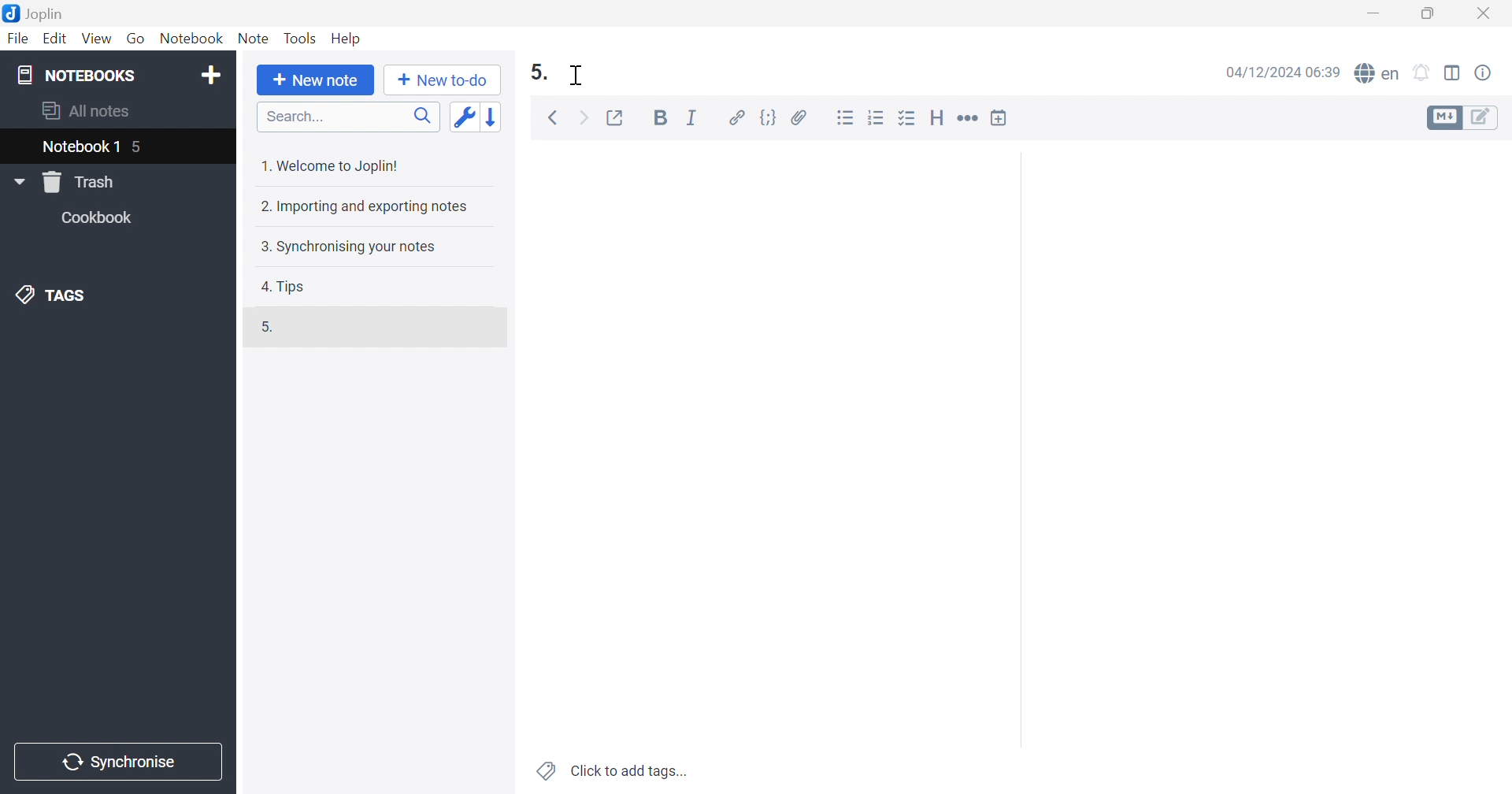  I want to click on Numbered list, so click(877, 117).